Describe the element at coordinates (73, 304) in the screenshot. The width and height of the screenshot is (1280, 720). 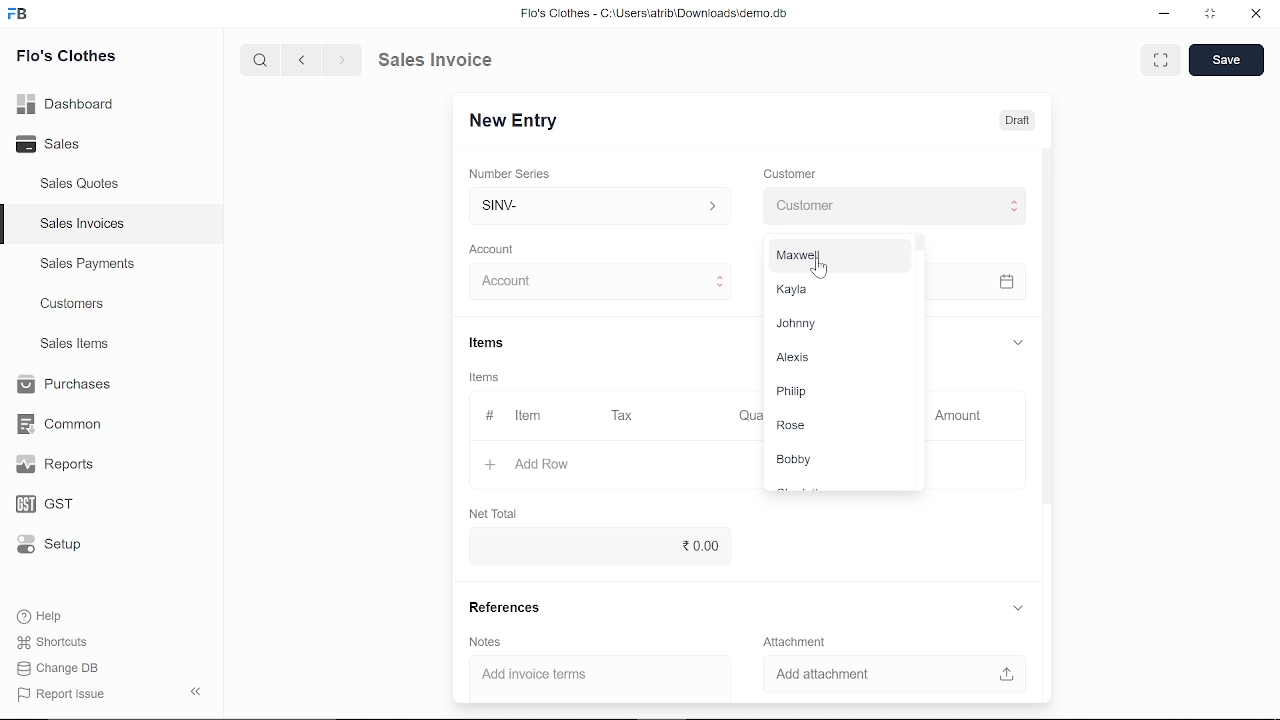
I see `Customers.` at that location.